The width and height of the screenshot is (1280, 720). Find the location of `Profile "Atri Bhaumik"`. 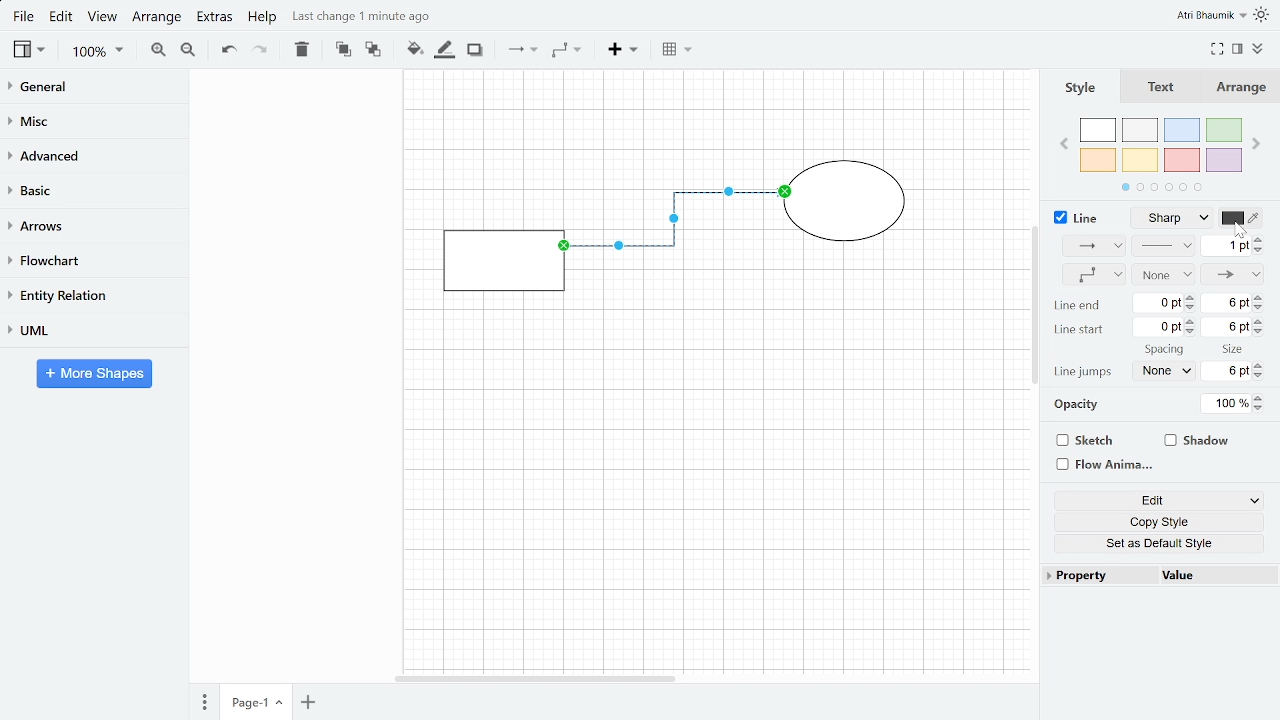

Profile "Atri Bhaumik" is located at coordinates (1212, 15).